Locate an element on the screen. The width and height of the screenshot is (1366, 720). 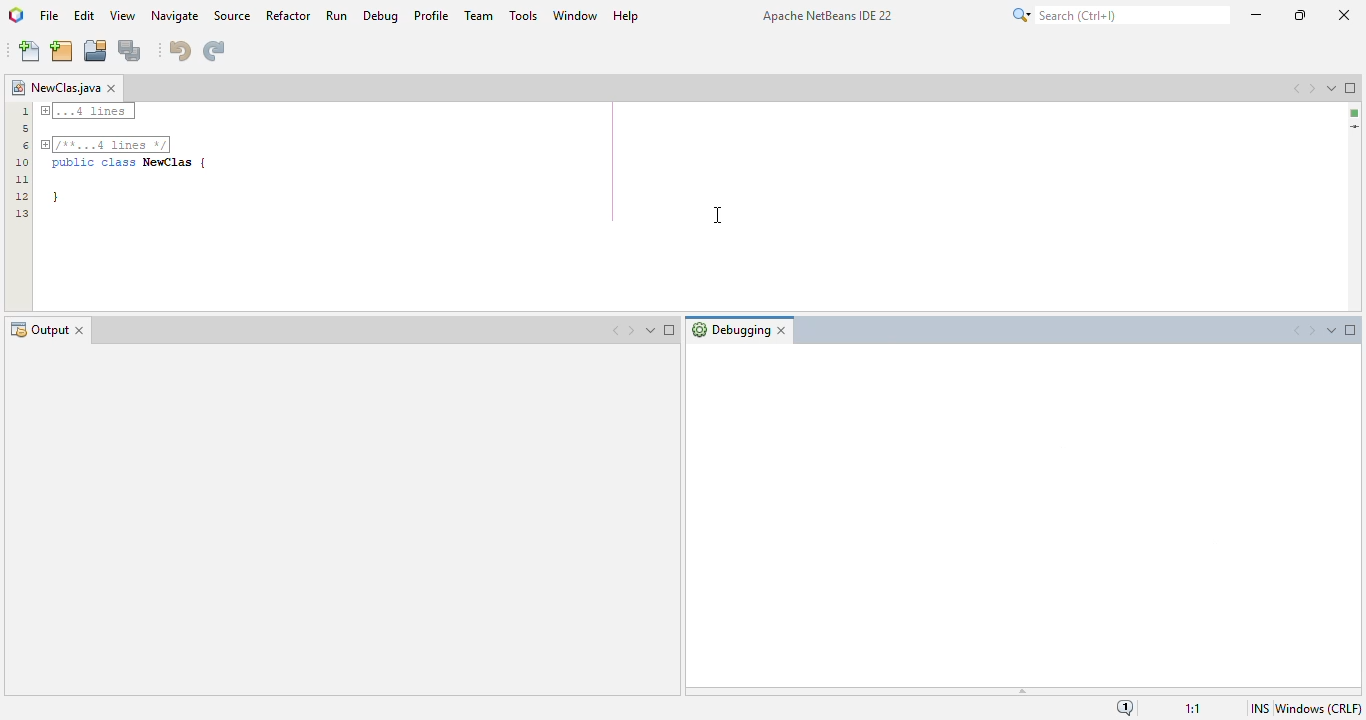
redo is located at coordinates (213, 50).